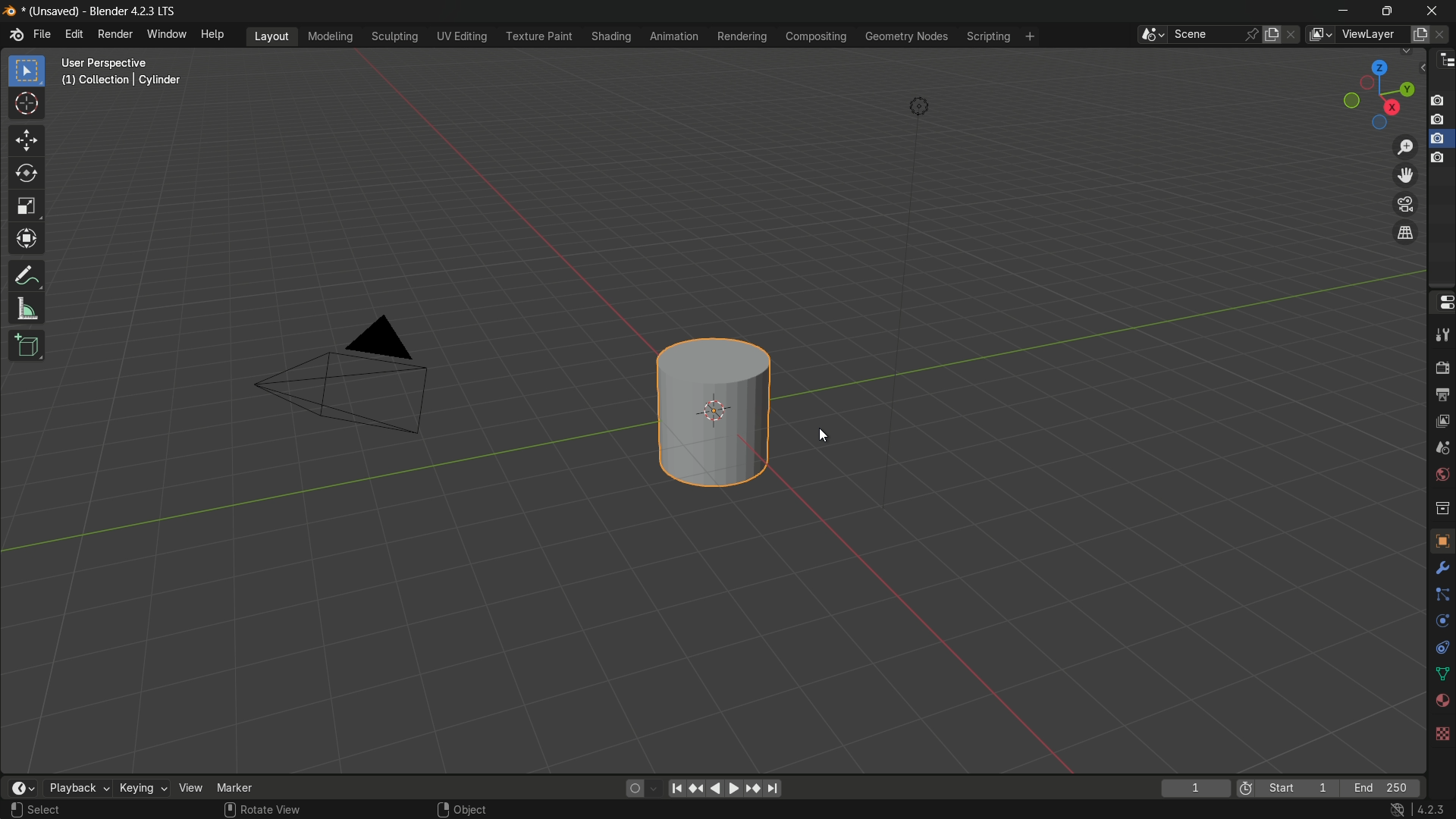  Describe the element at coordinates (989, 36) in the screenshot. I see `scripting` at that location.